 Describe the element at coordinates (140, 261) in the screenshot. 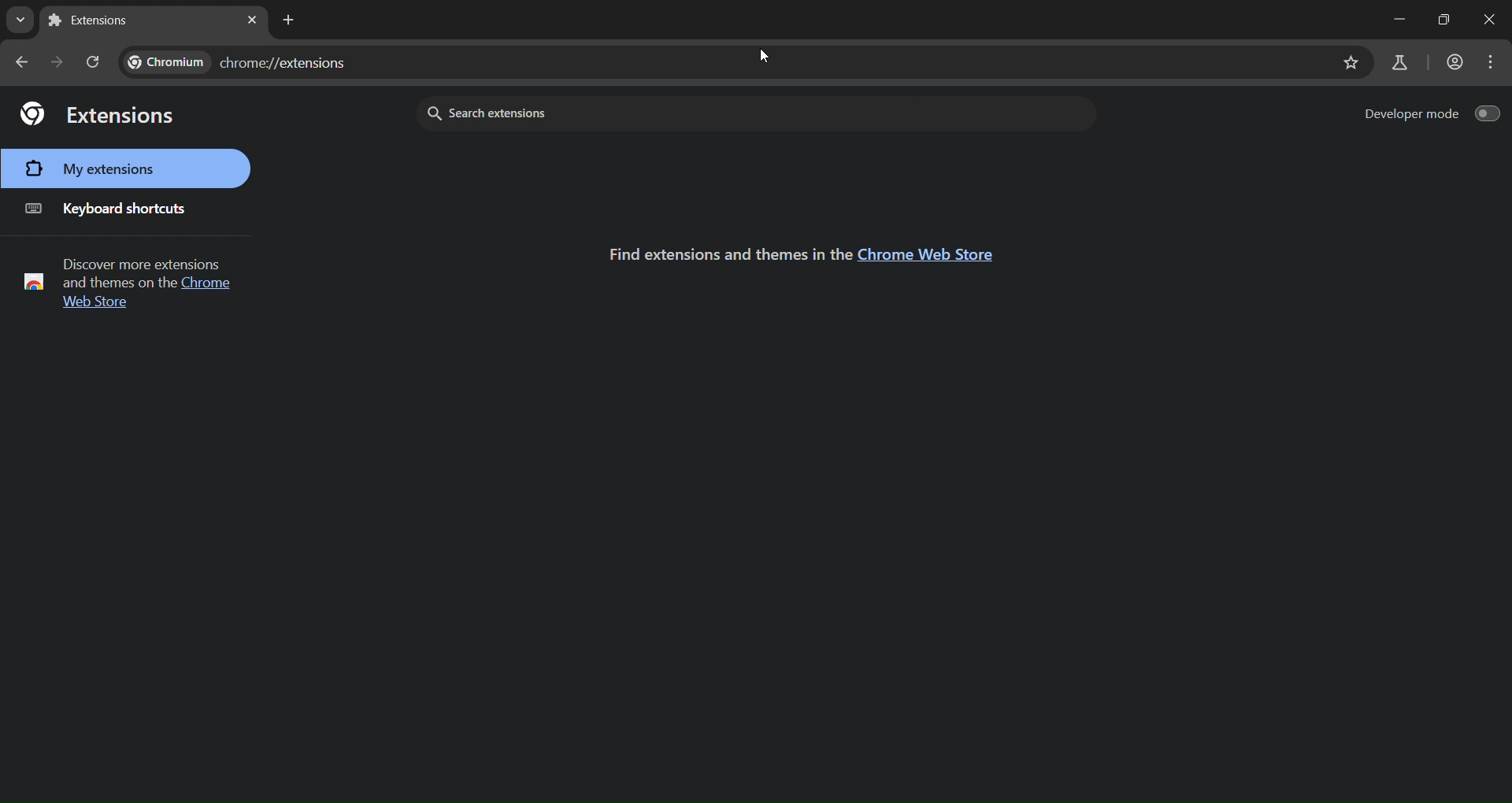

I see `Discover more extensions` at that location.